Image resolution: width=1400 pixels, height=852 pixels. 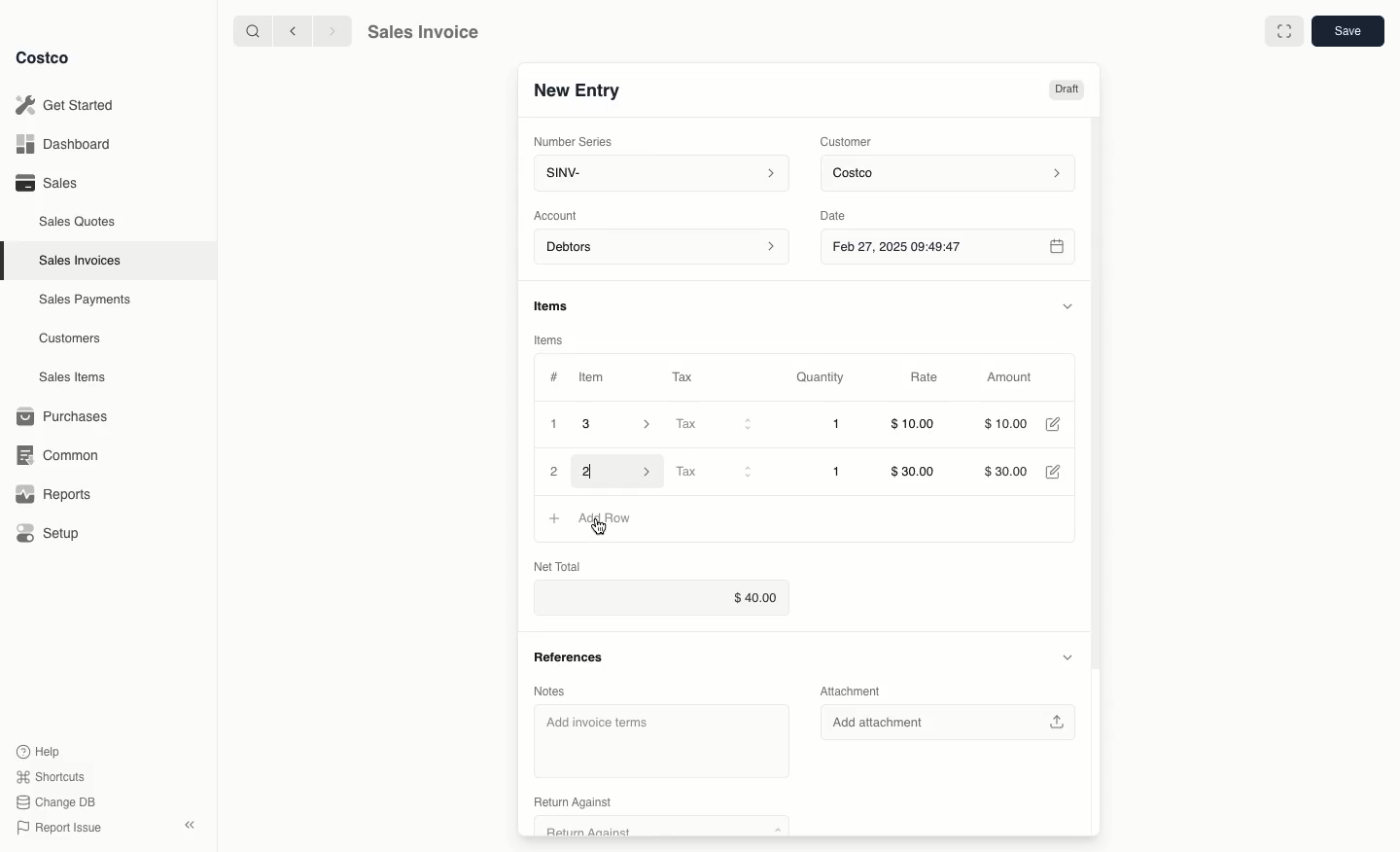 What do you see at coordinates (63, 416) in the screenshot?
I see `Purchases` at bounding box center [63, 416].